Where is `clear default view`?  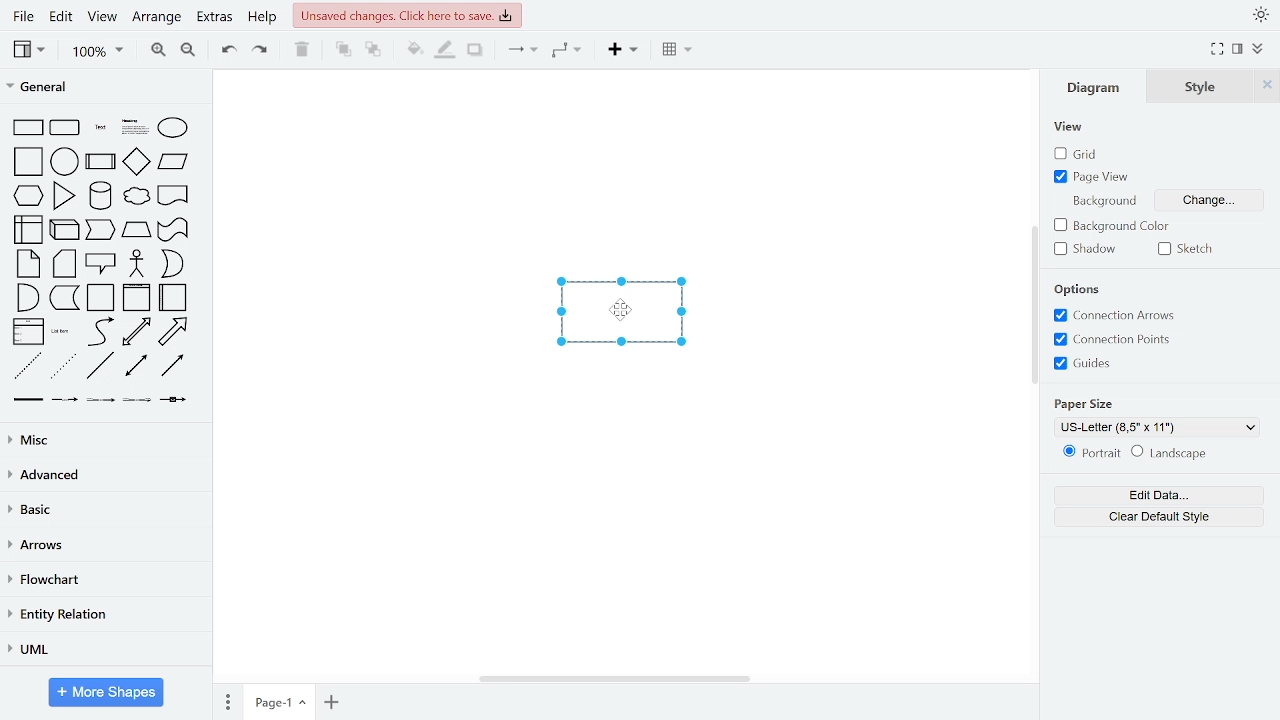
clear default view is located at coordinates (1156, 517).